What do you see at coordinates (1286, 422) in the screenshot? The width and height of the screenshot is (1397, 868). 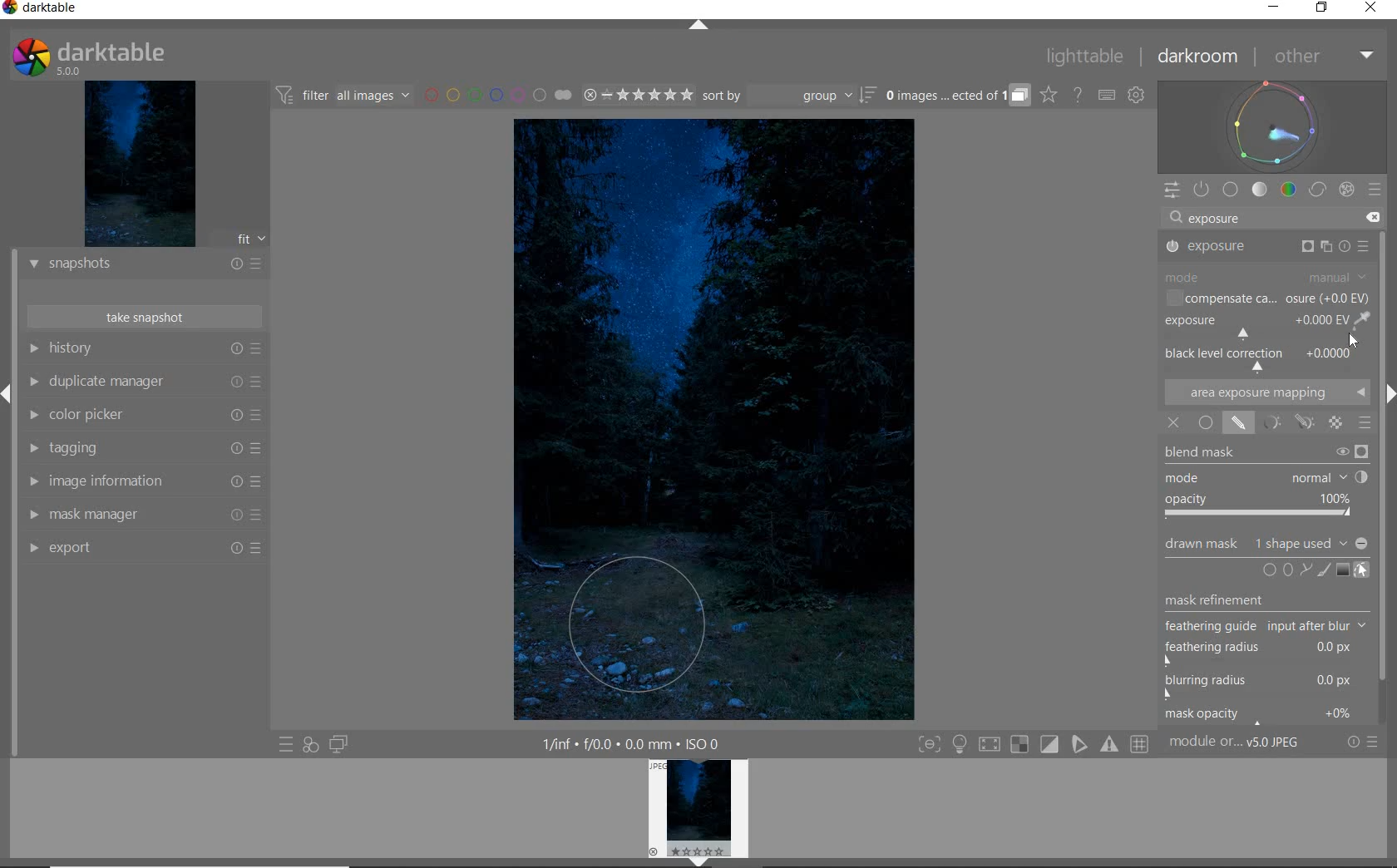 I see `MASK OPTIONS` at bounding box center [1286, 422].